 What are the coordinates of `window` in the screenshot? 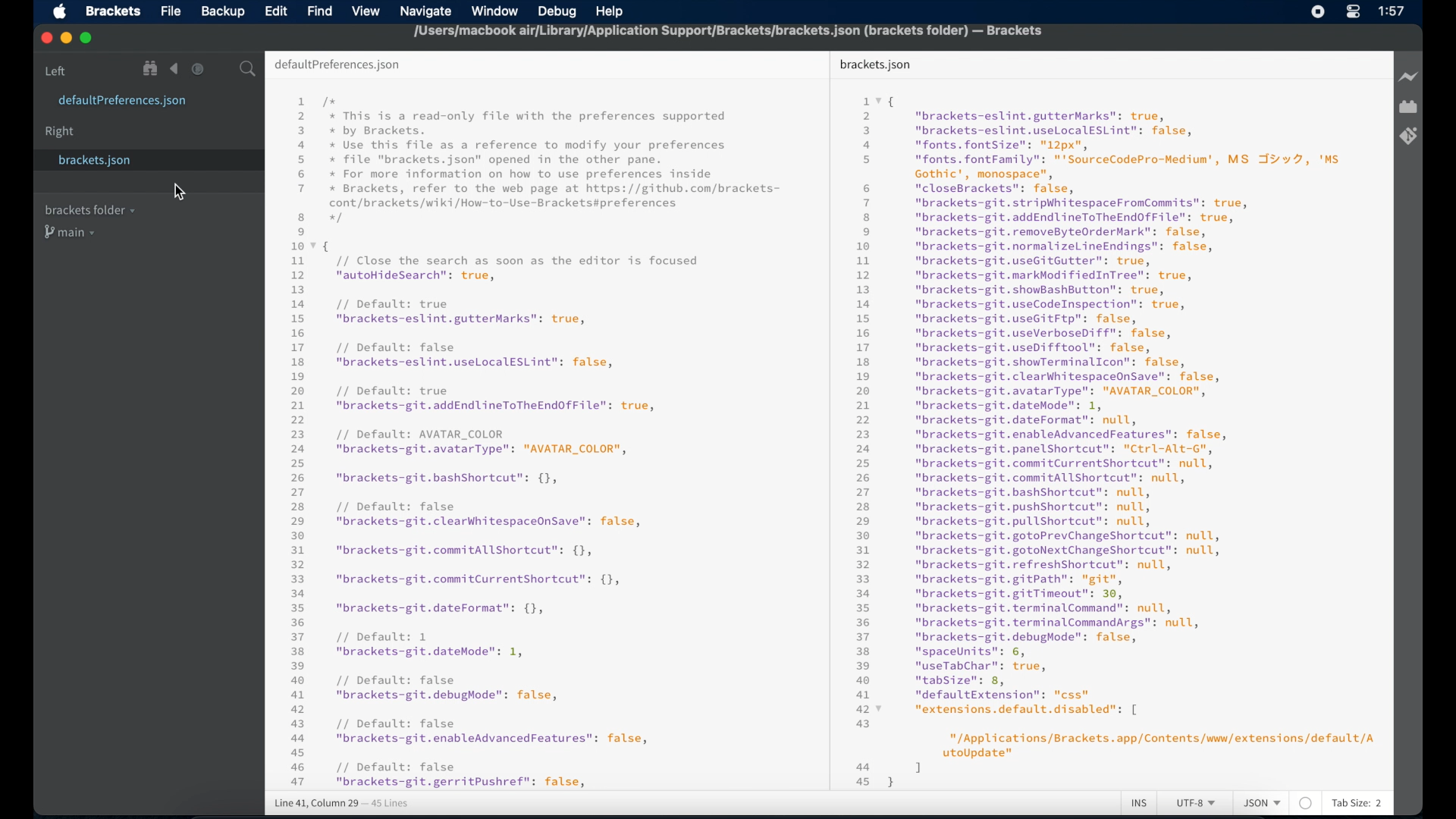 It's located at (497, 11).